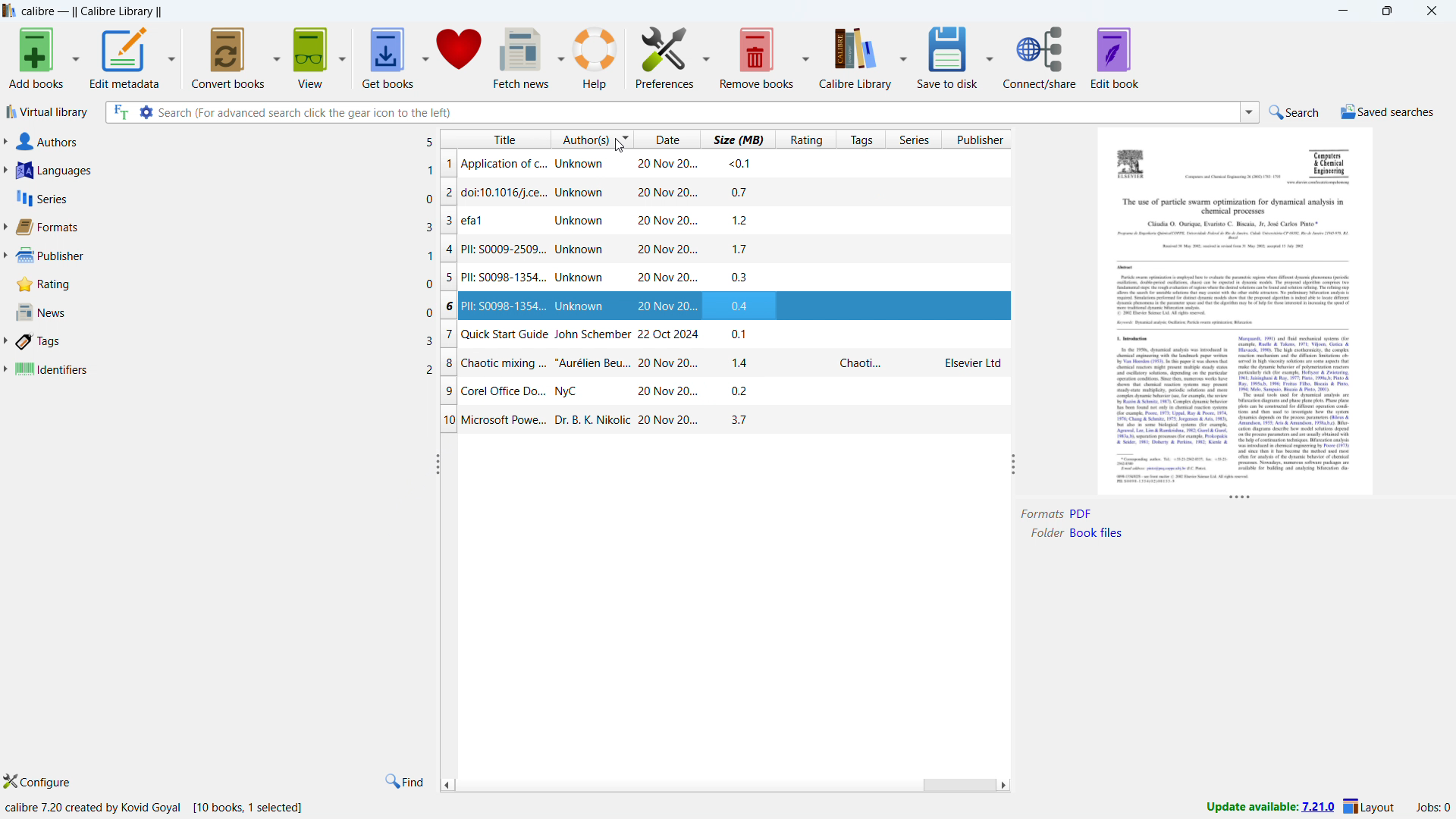  Describe the element at coordinates (1342, 10) in the screenshot. I see `minimize` at that location.